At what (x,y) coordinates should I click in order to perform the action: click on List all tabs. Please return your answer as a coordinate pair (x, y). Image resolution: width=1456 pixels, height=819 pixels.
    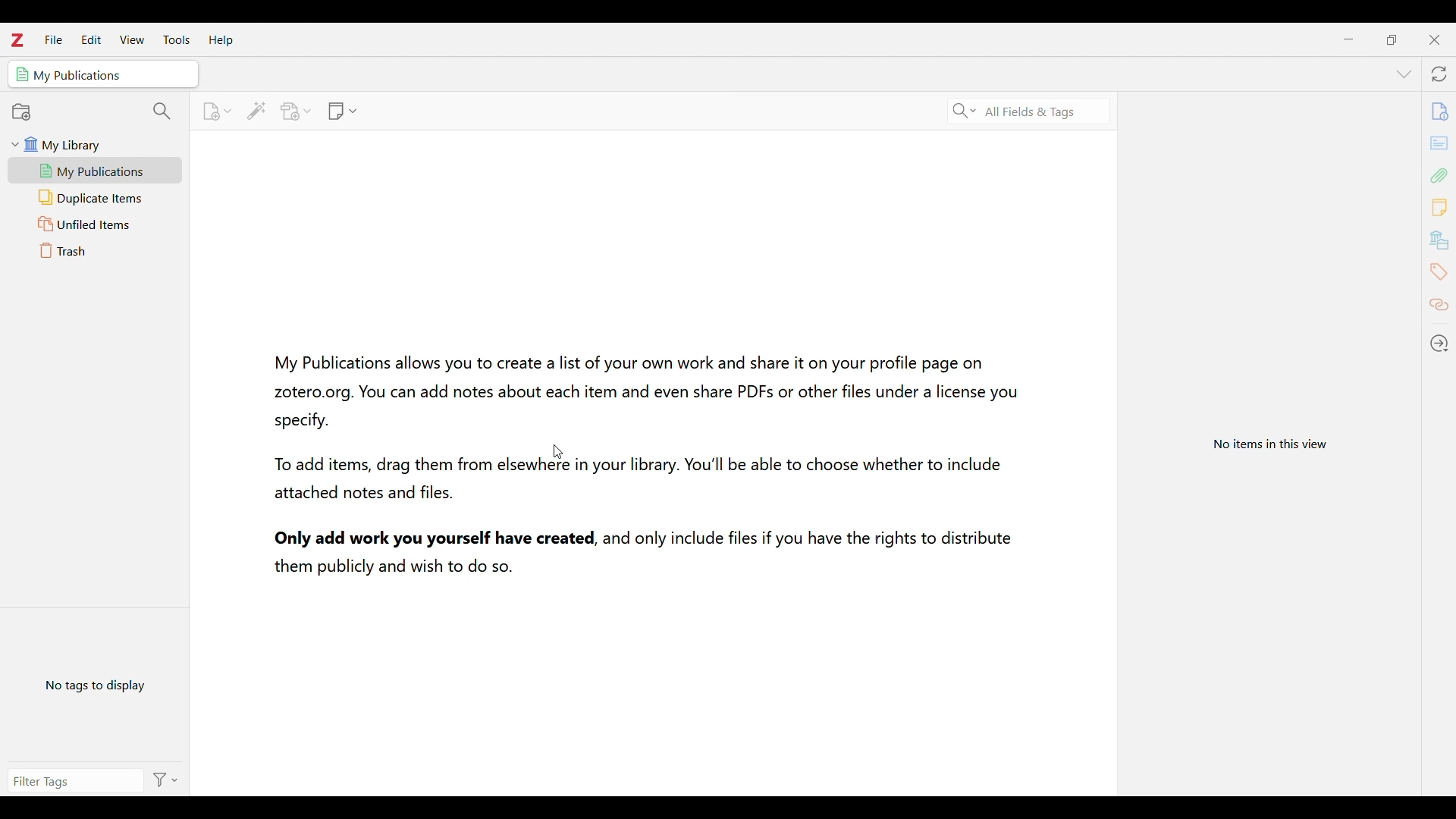
    Looking at the image, I should click on (1403, 74).